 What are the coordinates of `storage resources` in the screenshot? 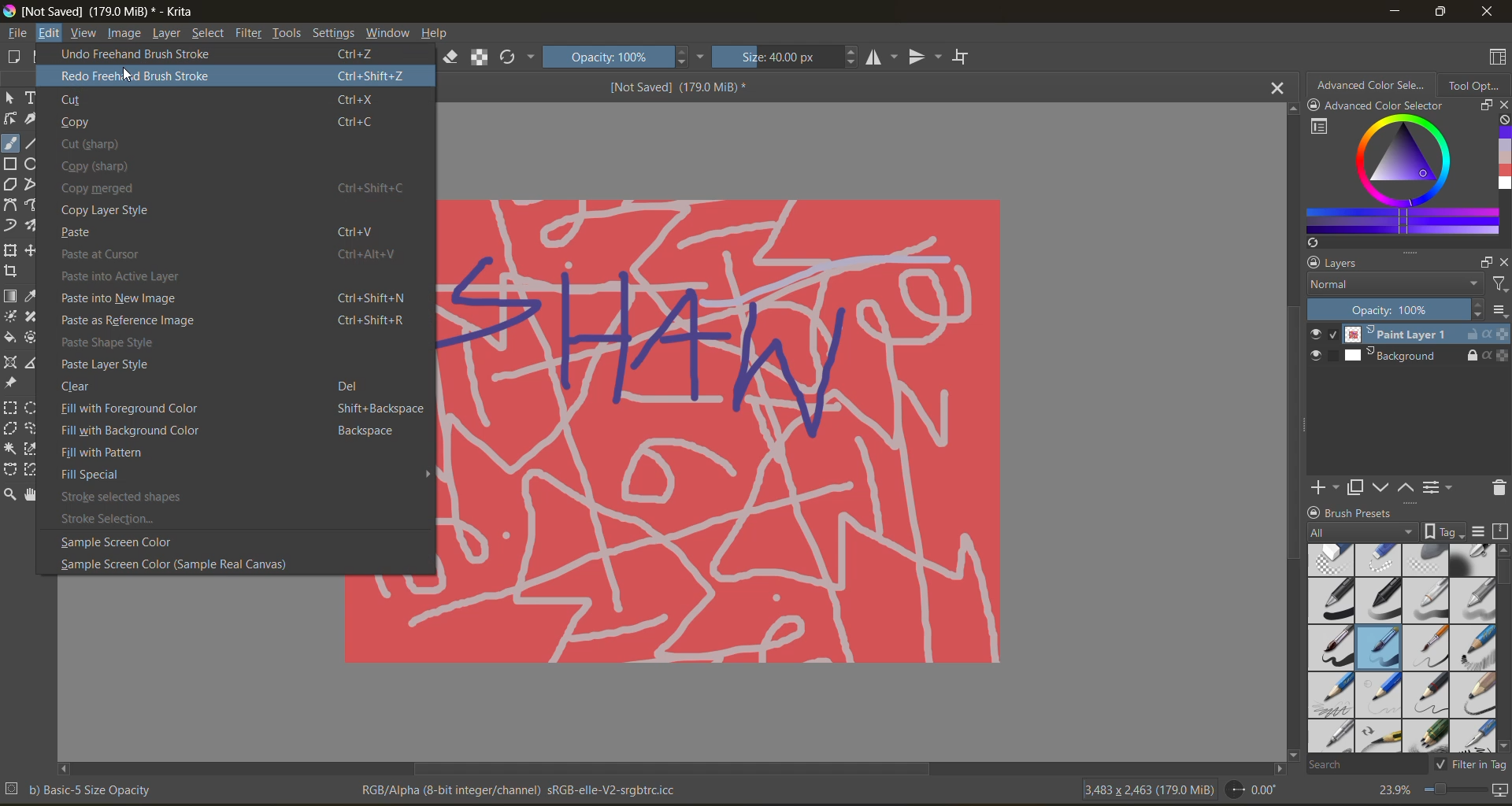 It's located at (1501, 534).